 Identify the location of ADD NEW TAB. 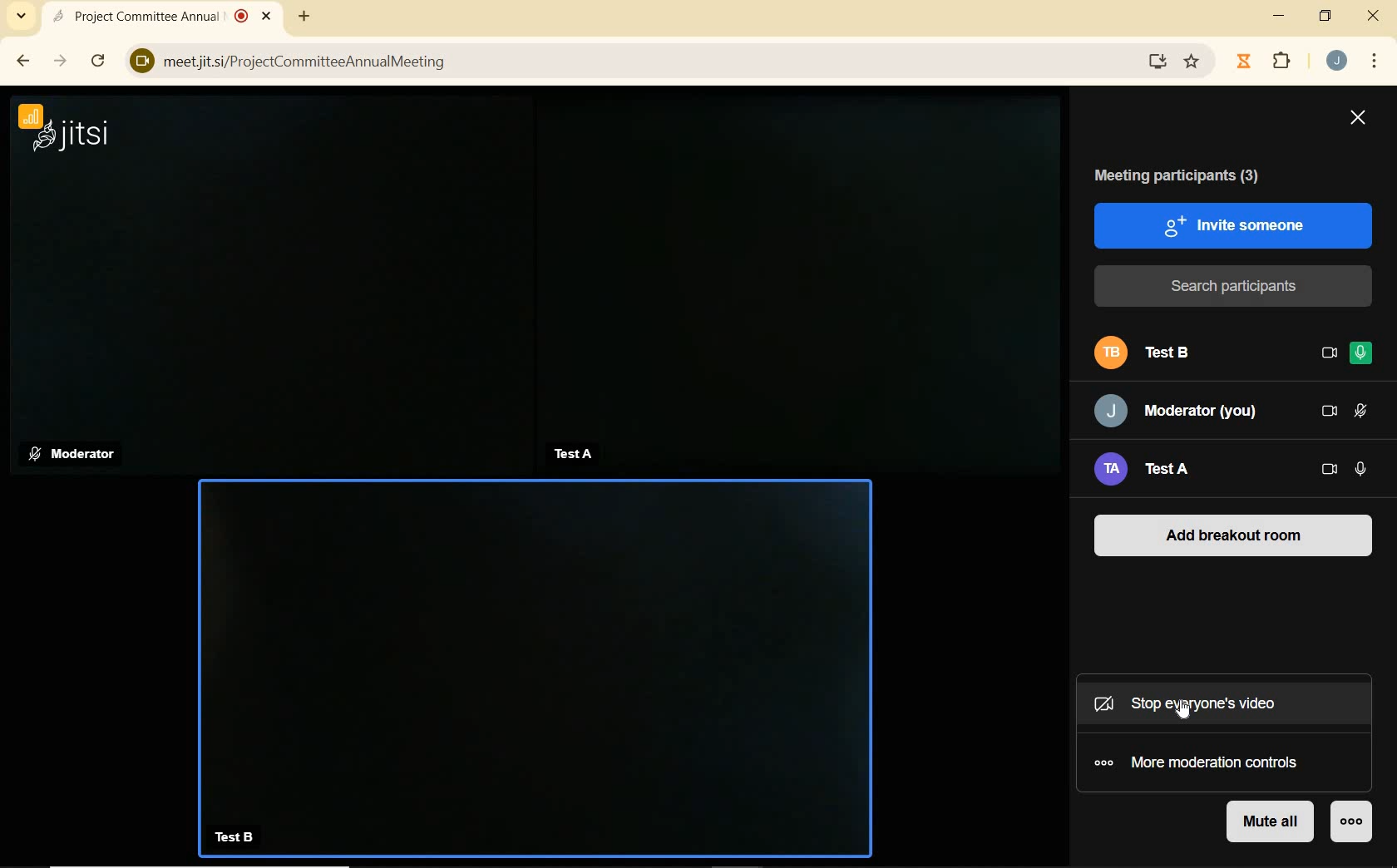
(303, 16).